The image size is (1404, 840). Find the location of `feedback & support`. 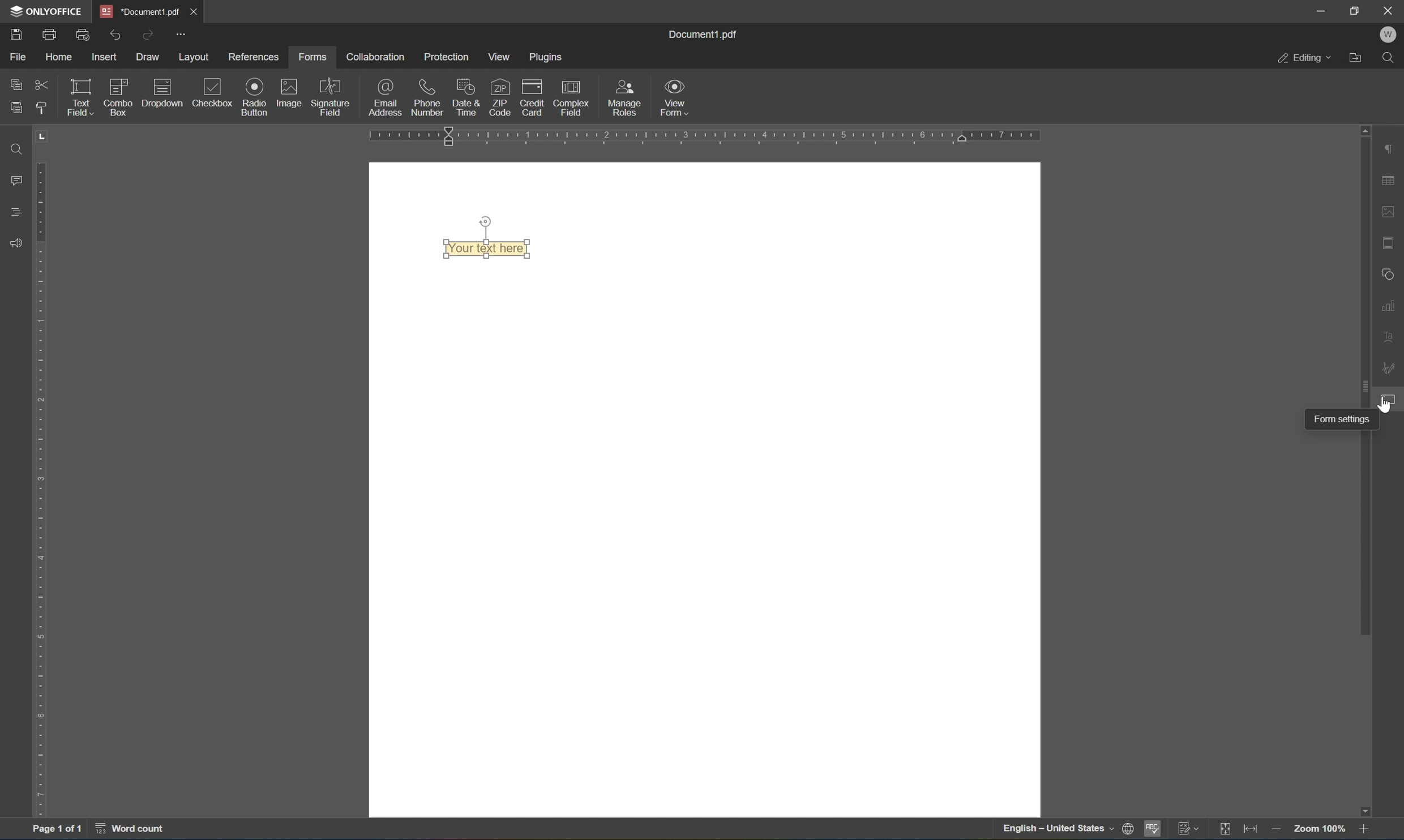

feedback & support is located at coordinates (15, 240).